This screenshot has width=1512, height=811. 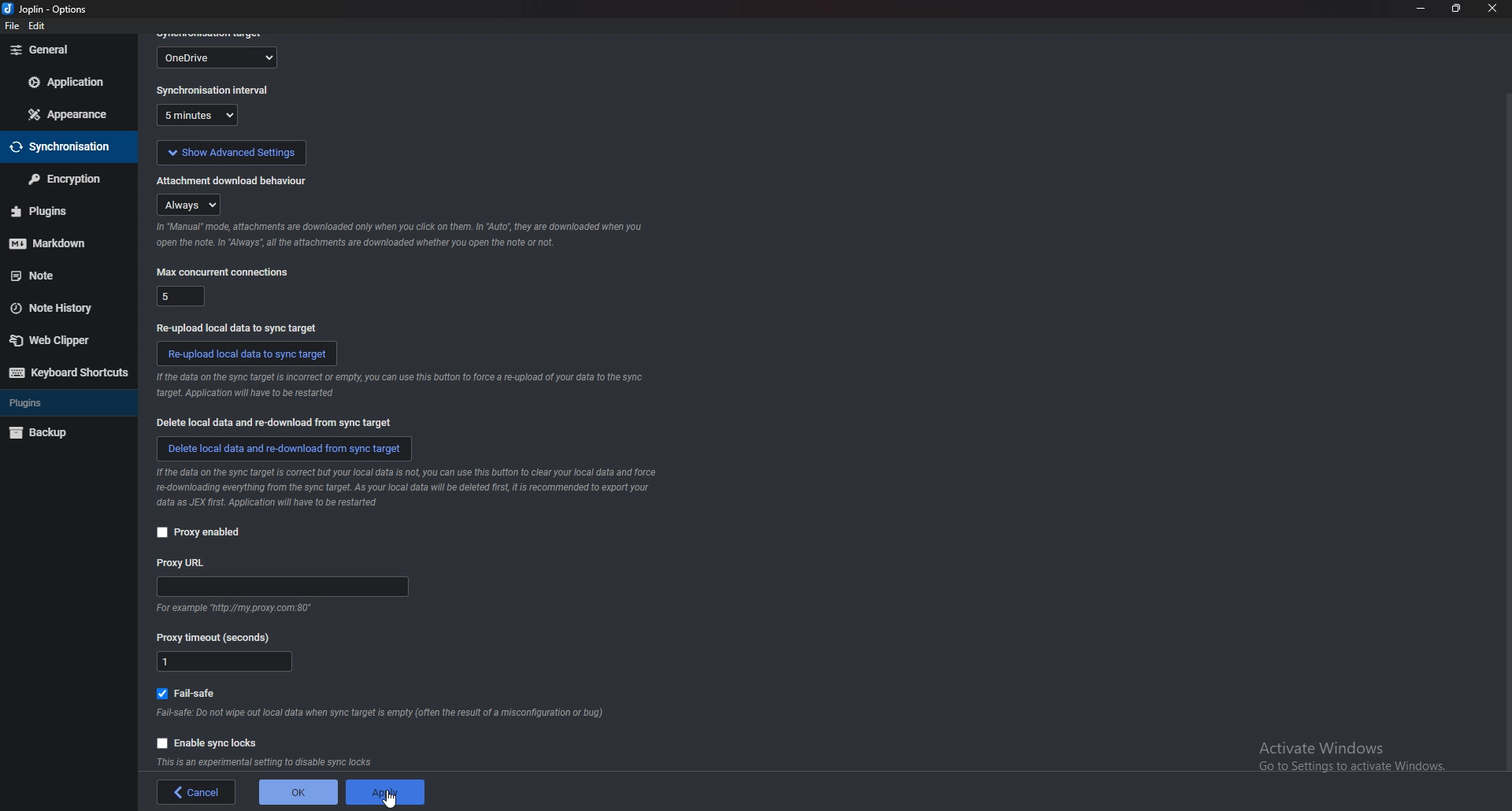 I want to click on note history, so click(x=60, y=308).